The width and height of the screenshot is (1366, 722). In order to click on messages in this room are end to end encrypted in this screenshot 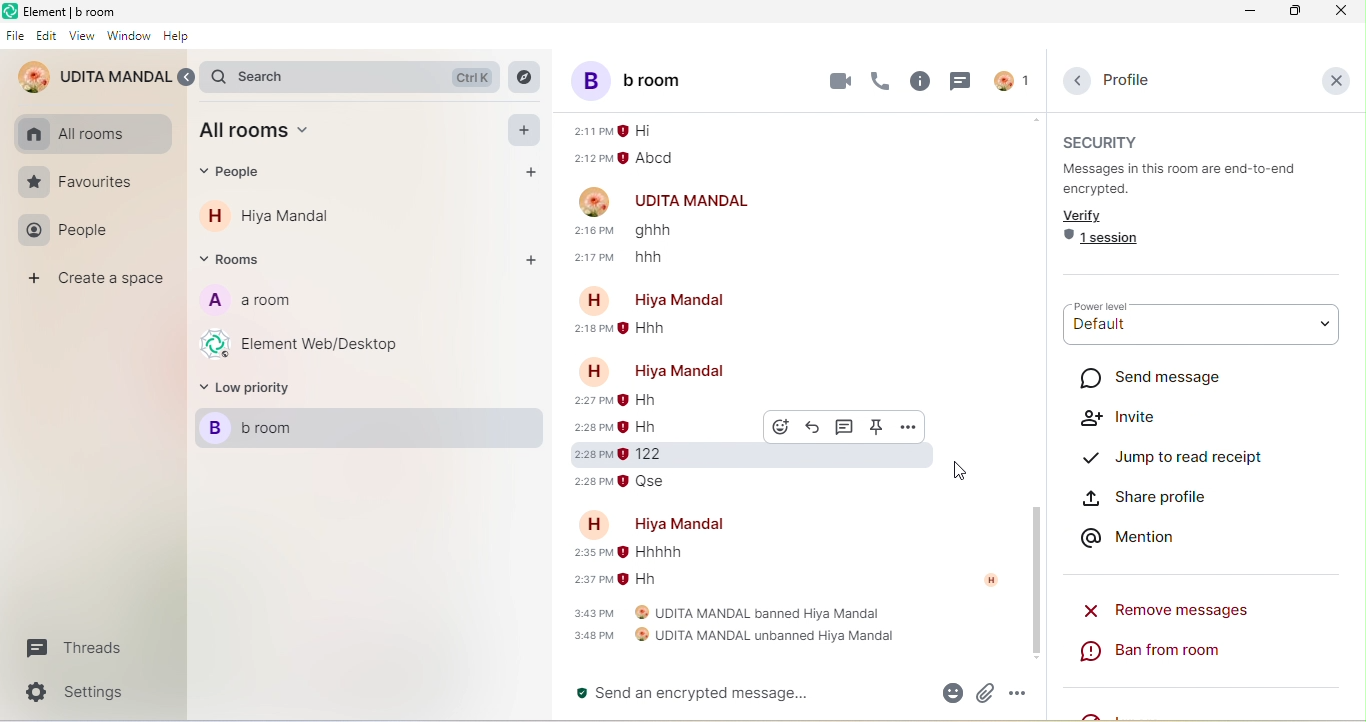, I will do `click(1191, 179)`.